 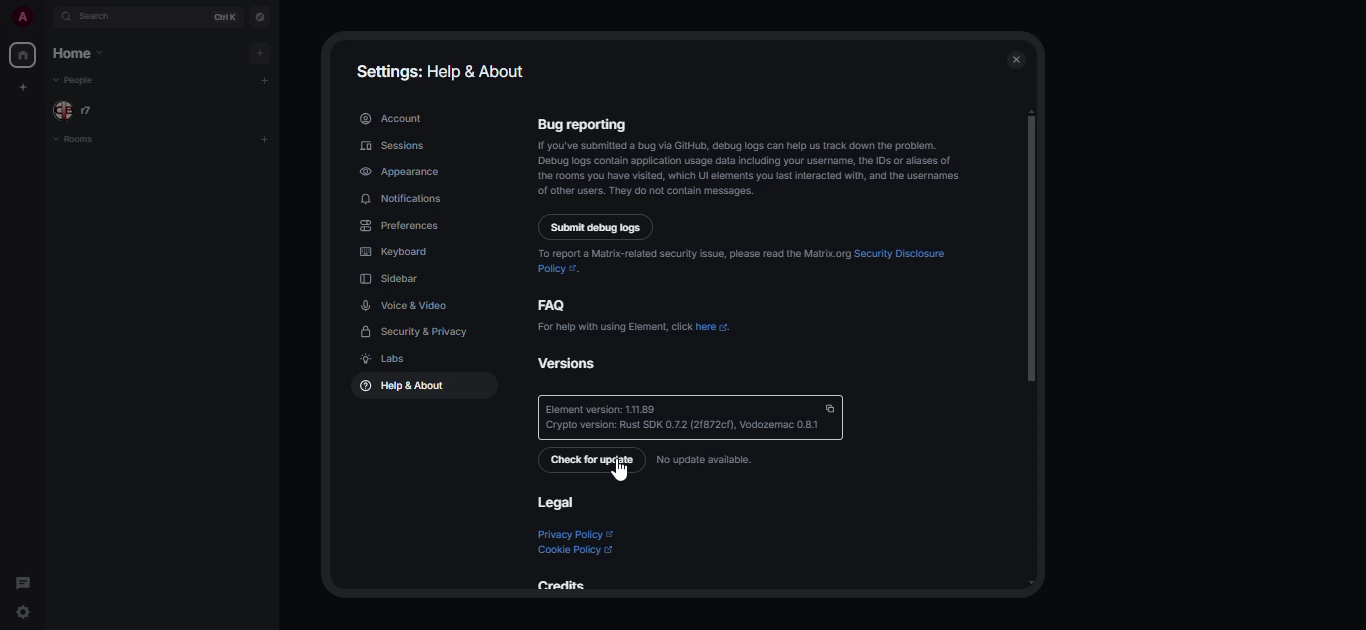 I want to click on profile, so click(x=25, y=16).